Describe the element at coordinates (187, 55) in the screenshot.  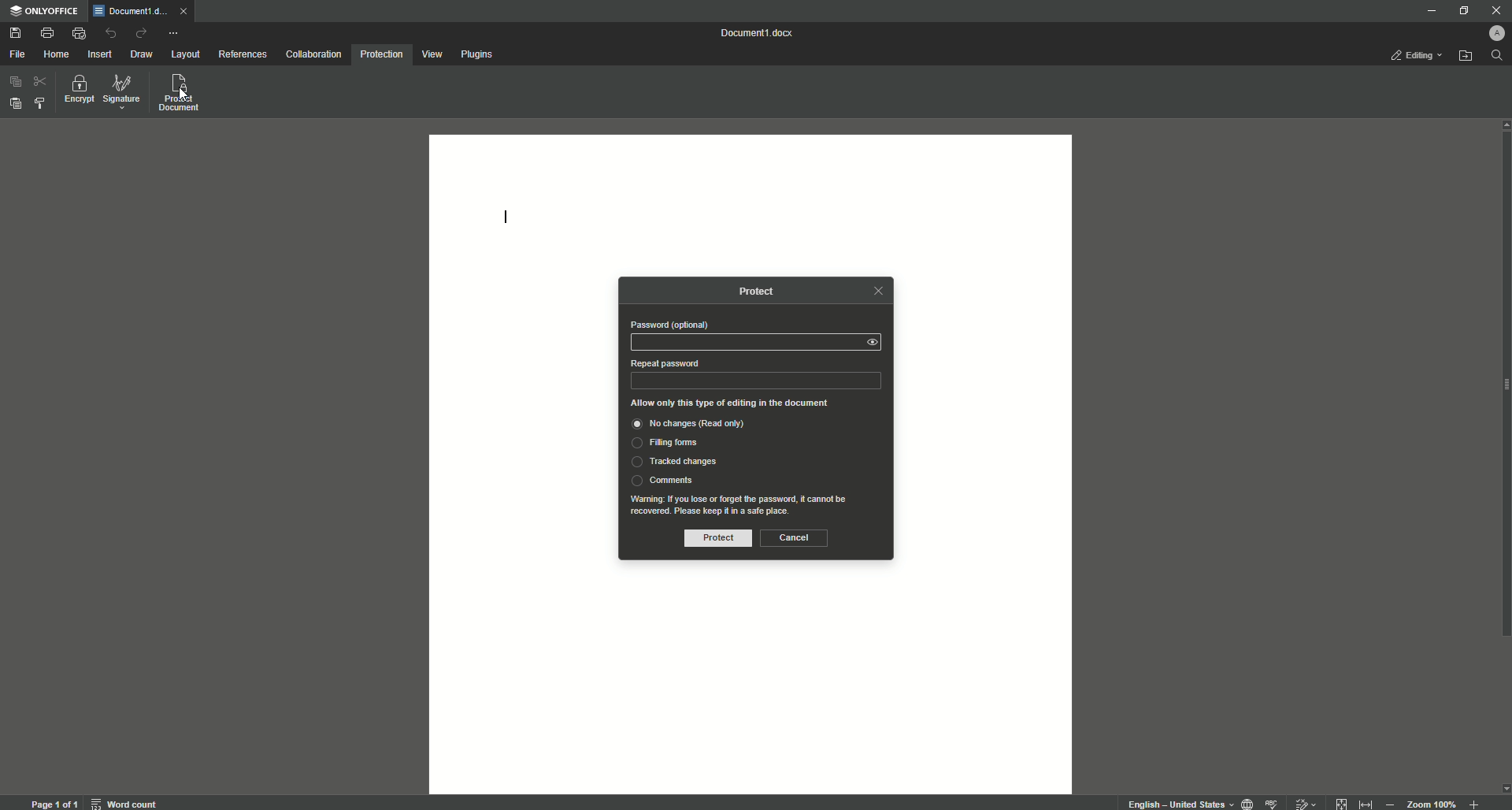
I see `Layout` at that location.